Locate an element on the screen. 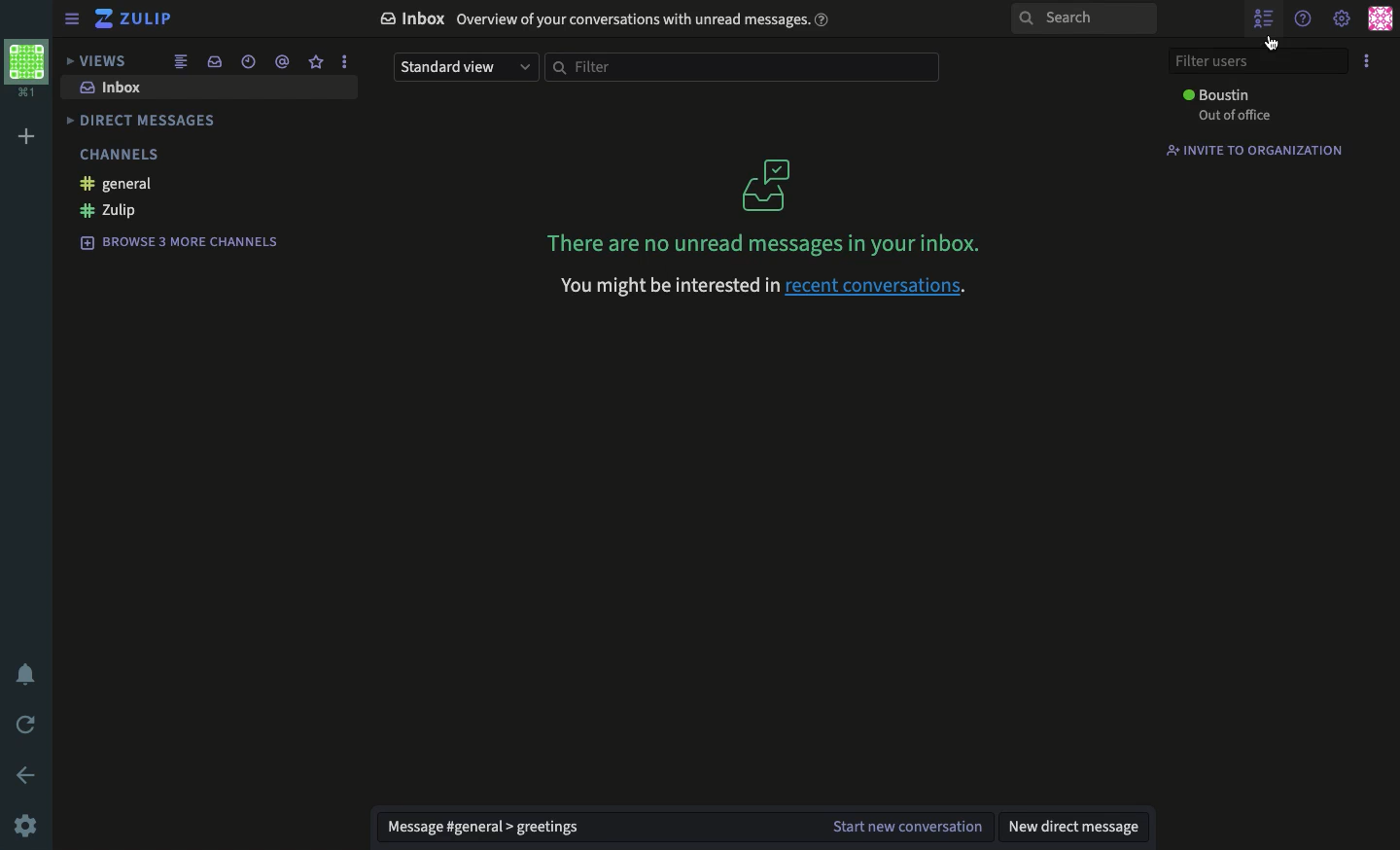 Image resolution: width=1400 pixels, height=850 pixels. notification is located at coordinates (25, 672).